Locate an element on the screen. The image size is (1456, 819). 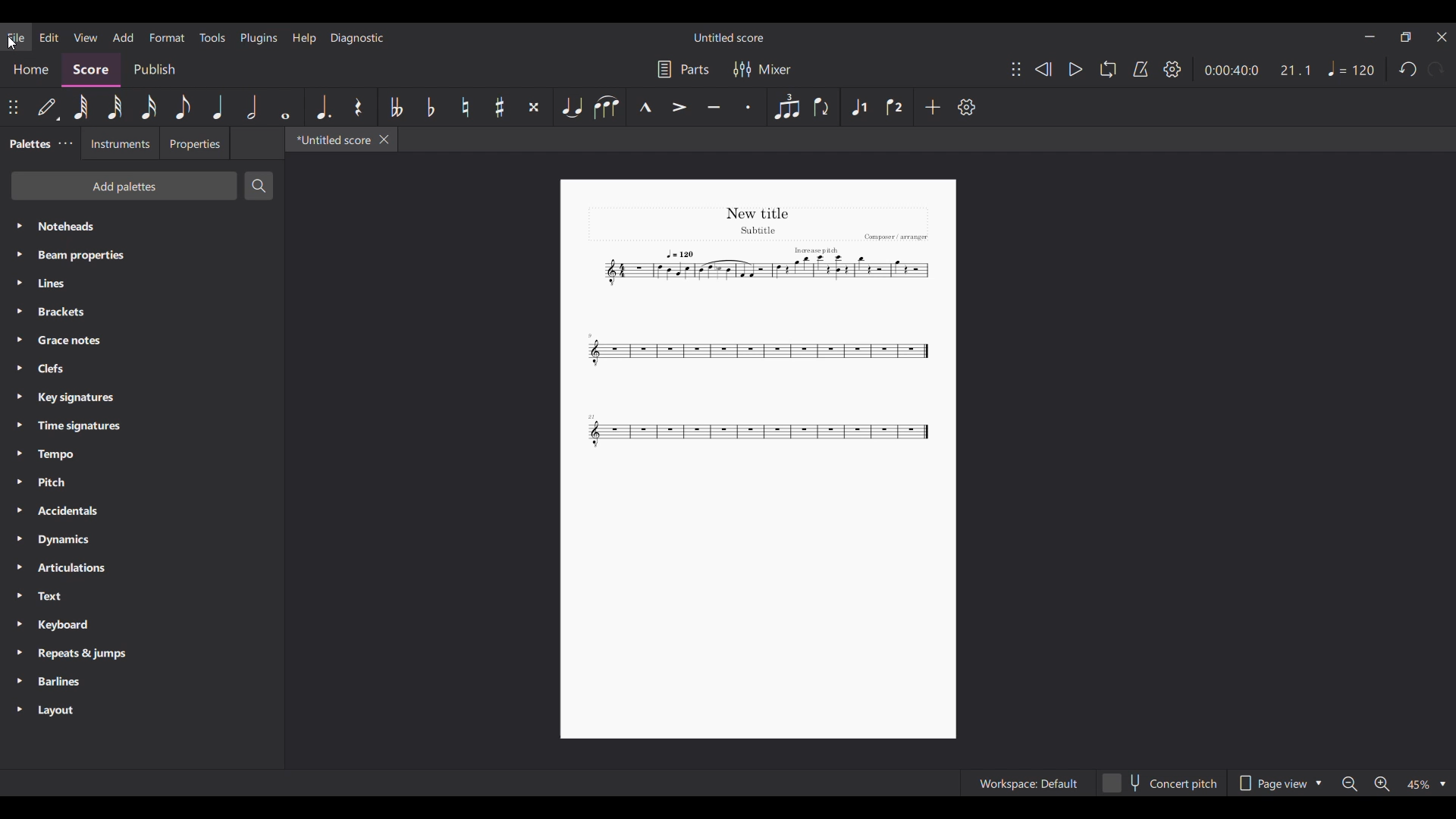
Instruments is located at coordinates (120, 143).